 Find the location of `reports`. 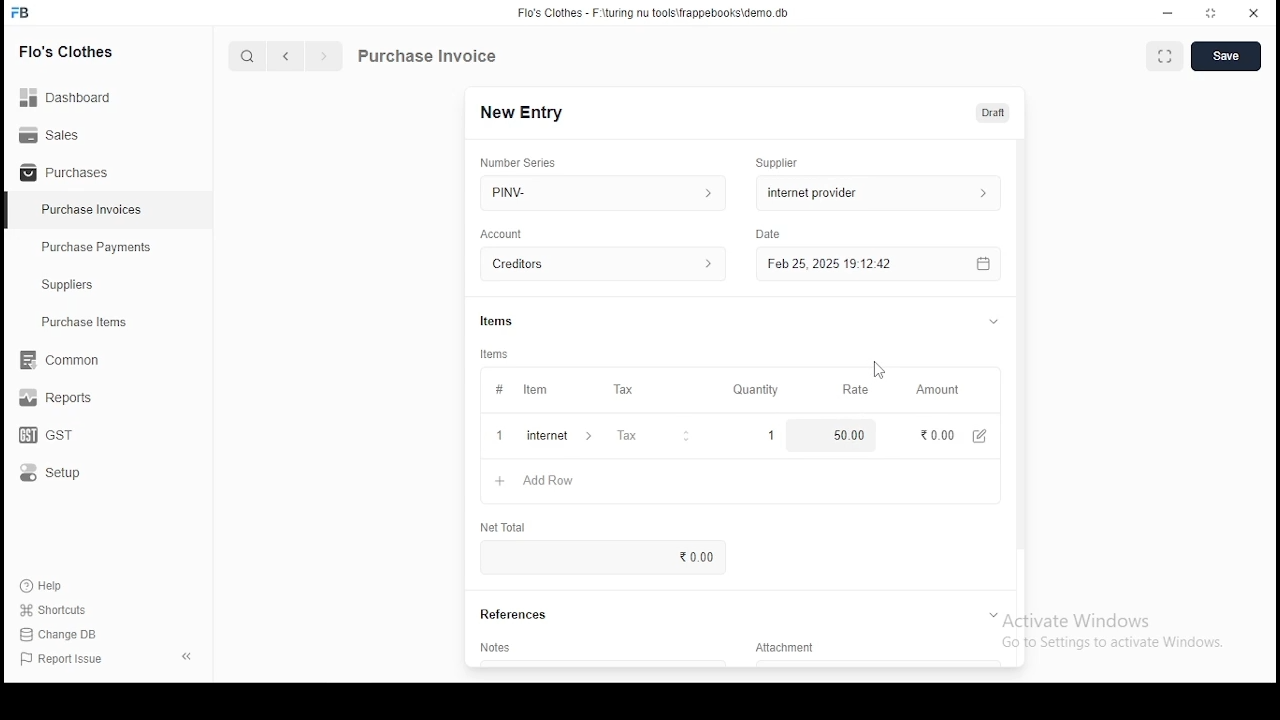

reports is located at coordinates (58, 400).